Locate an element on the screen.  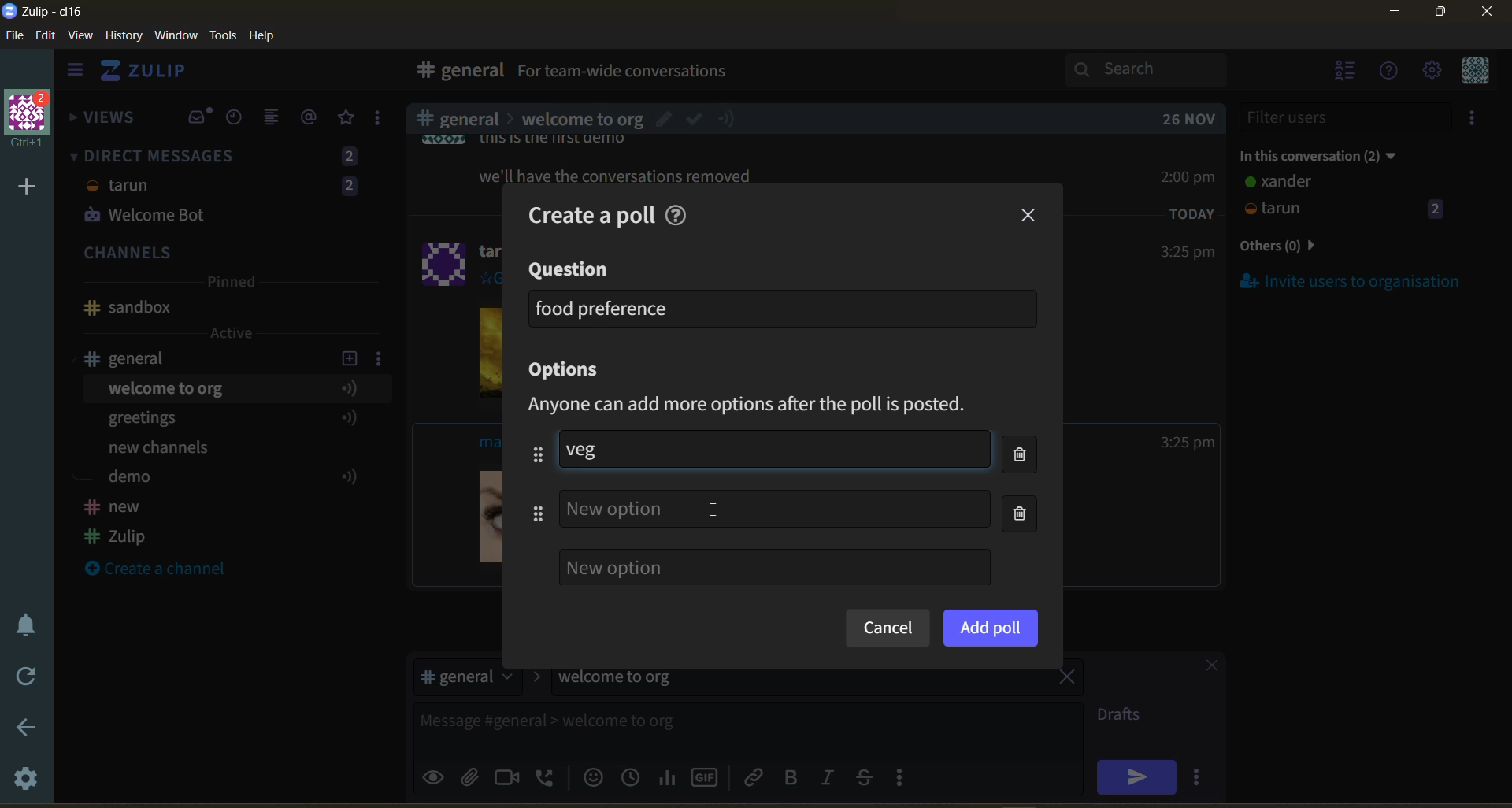
in this conversation is located at coordinates (1335, 153).